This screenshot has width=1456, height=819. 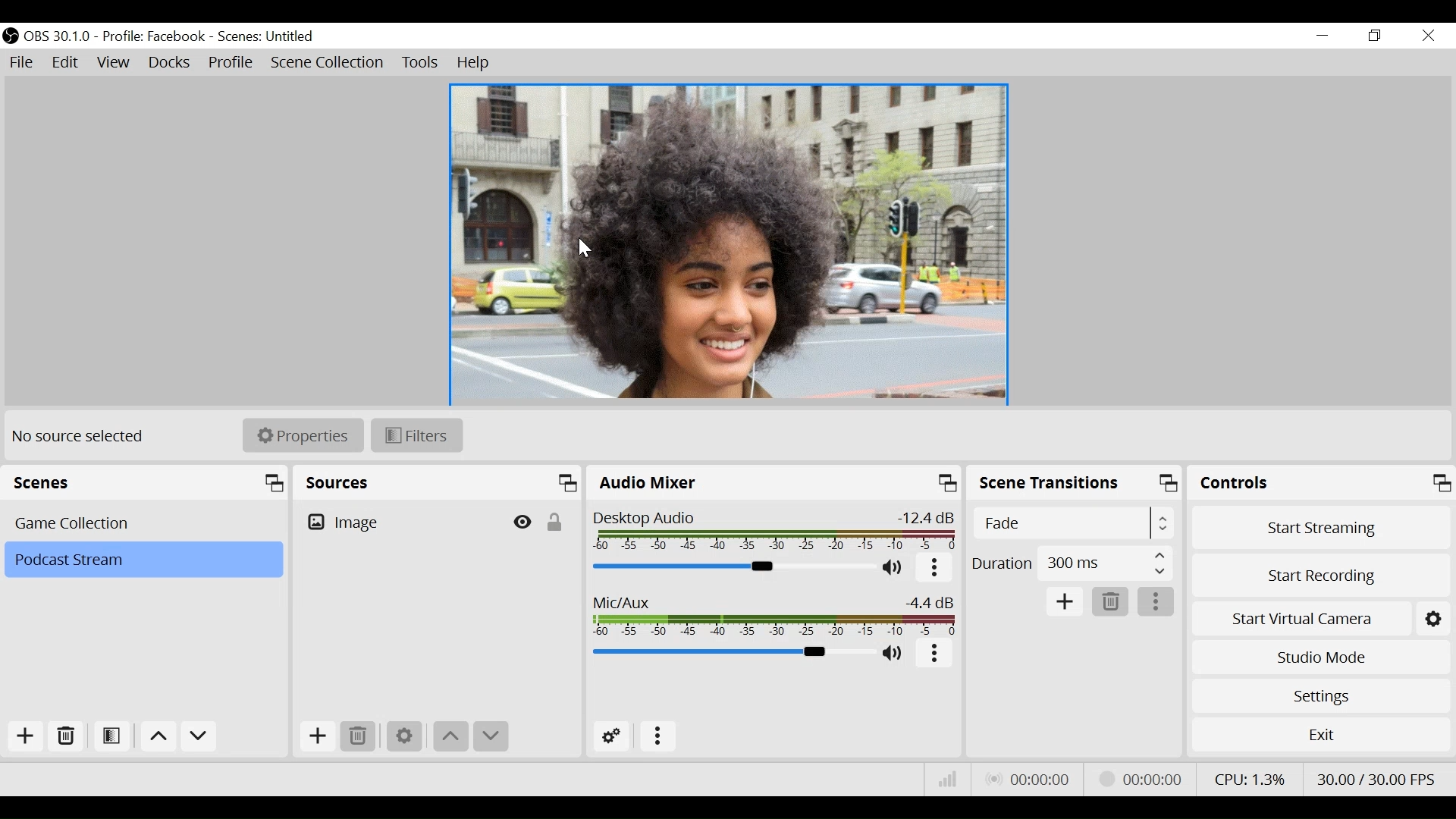 I want to click on No source selected, so click(x=80, y=436).